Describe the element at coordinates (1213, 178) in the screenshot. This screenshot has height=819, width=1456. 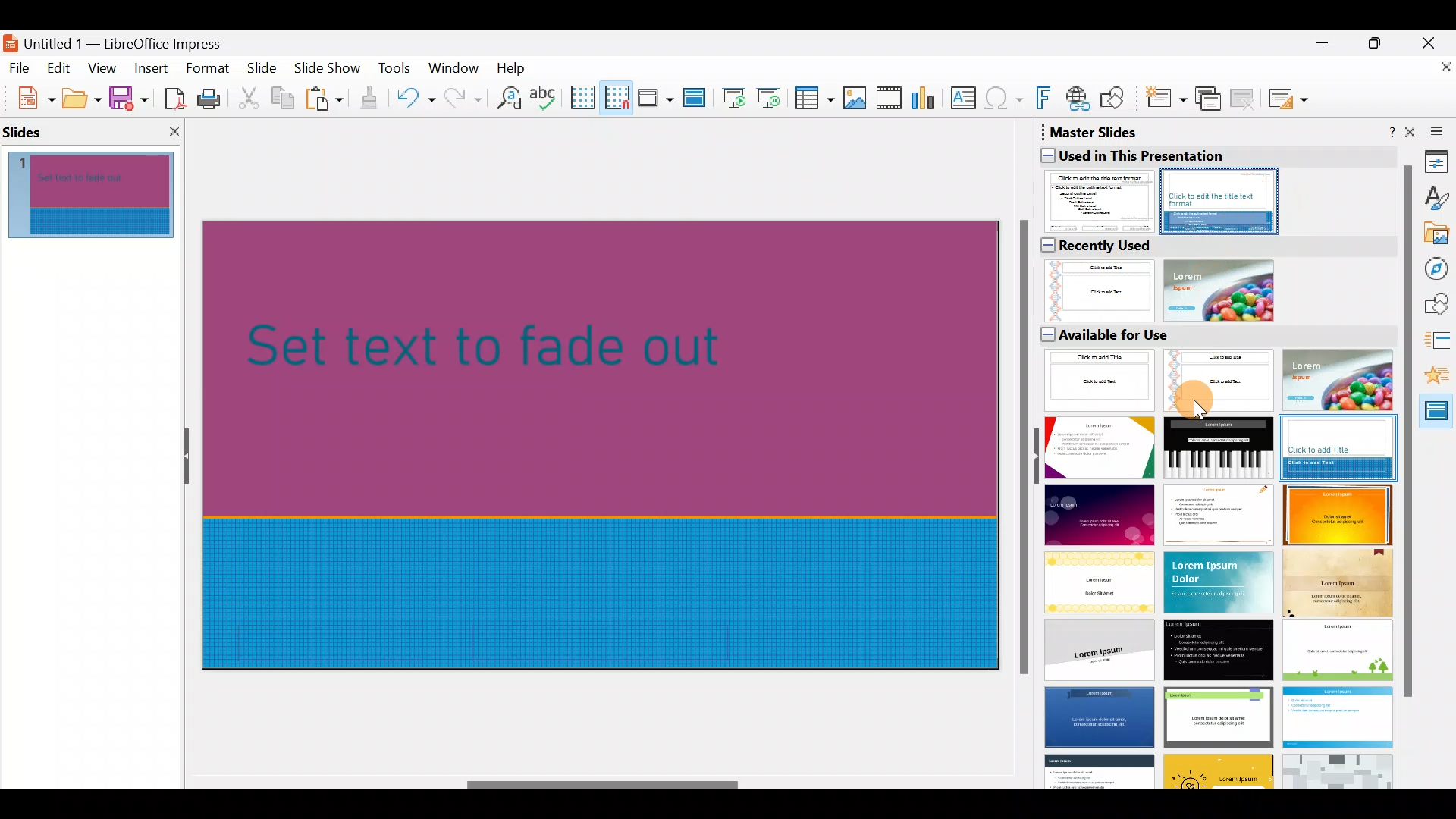
I see `Master slides used in this presentation` at that location.